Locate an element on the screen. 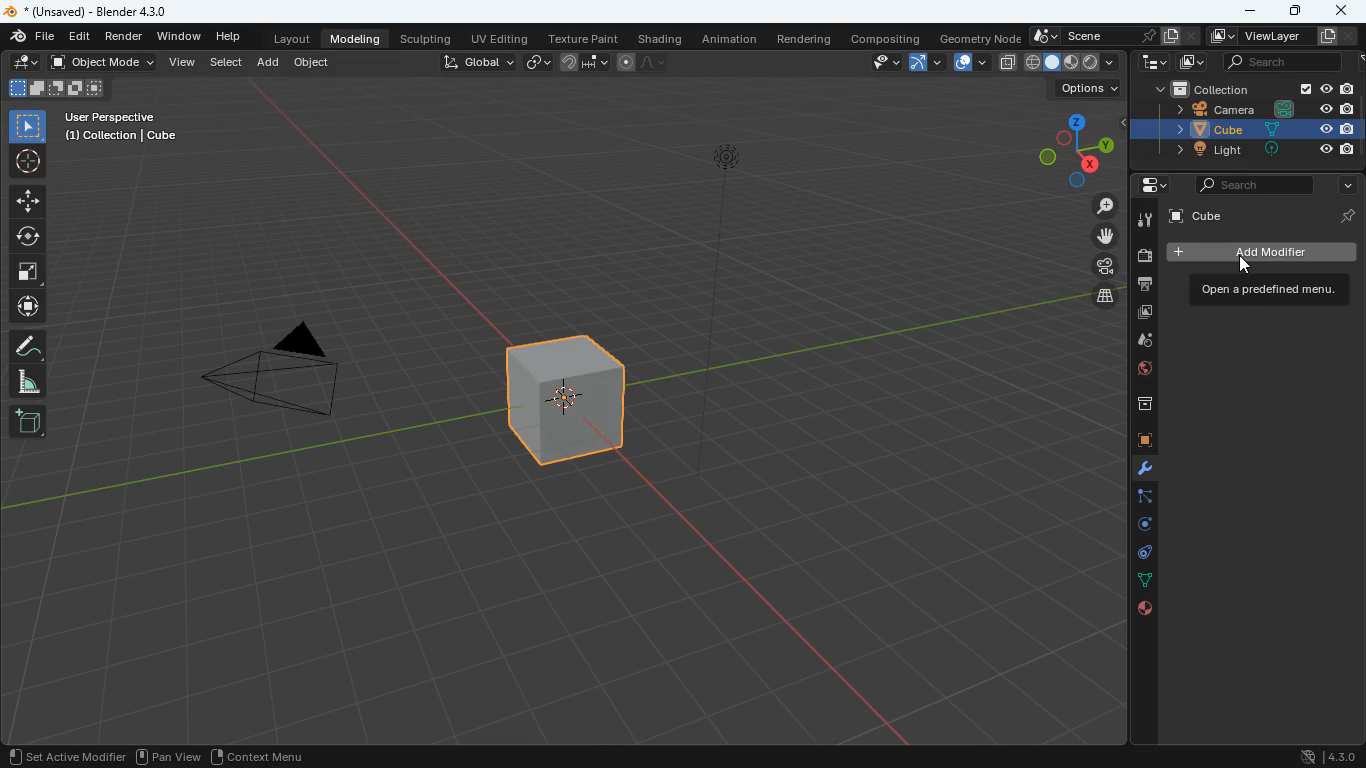 This screenshot has width=1366, height=768. cube is located at coordinates (573, 399).